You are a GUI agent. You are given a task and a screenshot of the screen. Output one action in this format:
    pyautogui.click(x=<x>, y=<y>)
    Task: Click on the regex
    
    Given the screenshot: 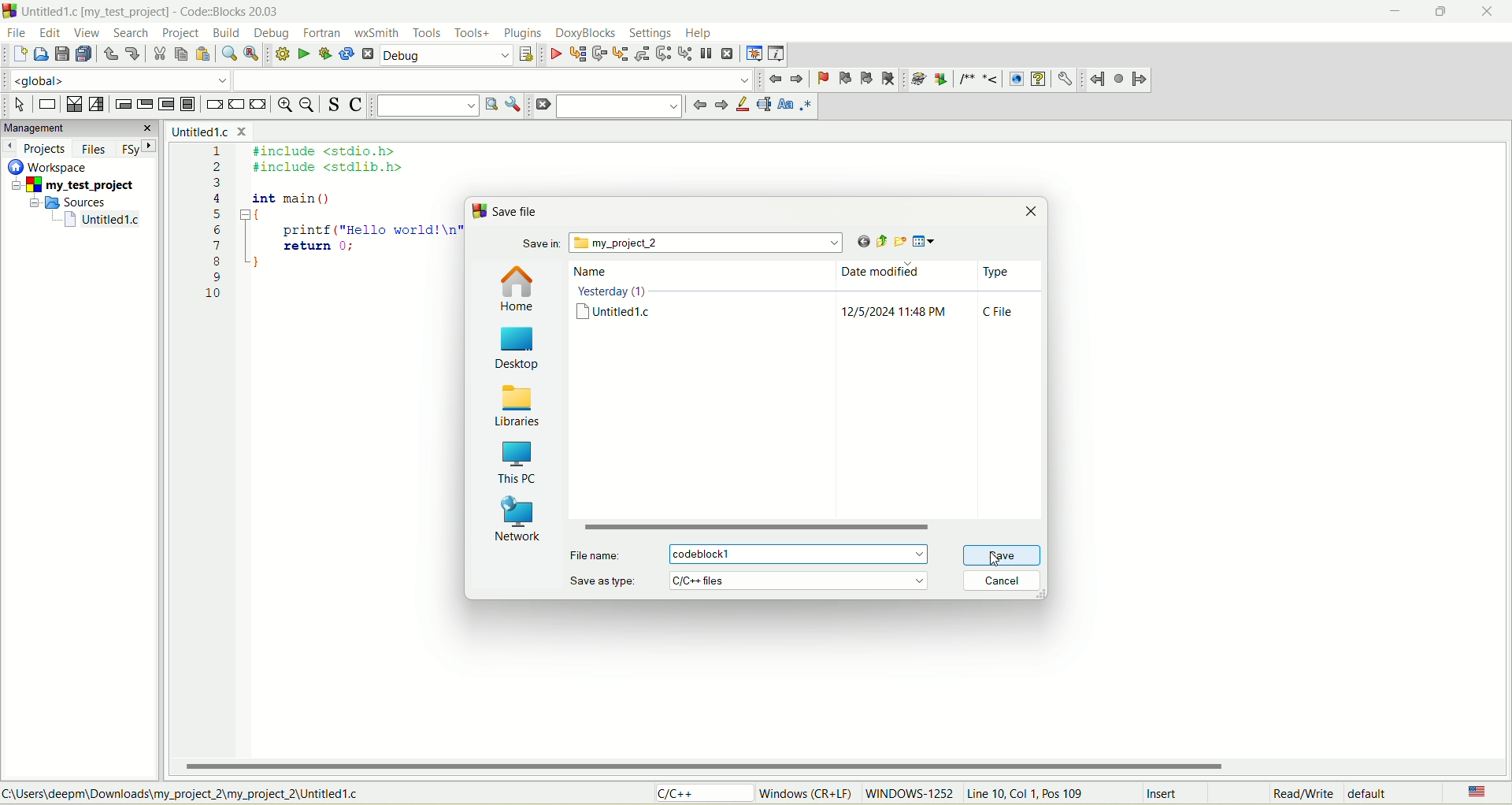 What is the action you would take?
    pyautogui.click(x=806, y=104)
    